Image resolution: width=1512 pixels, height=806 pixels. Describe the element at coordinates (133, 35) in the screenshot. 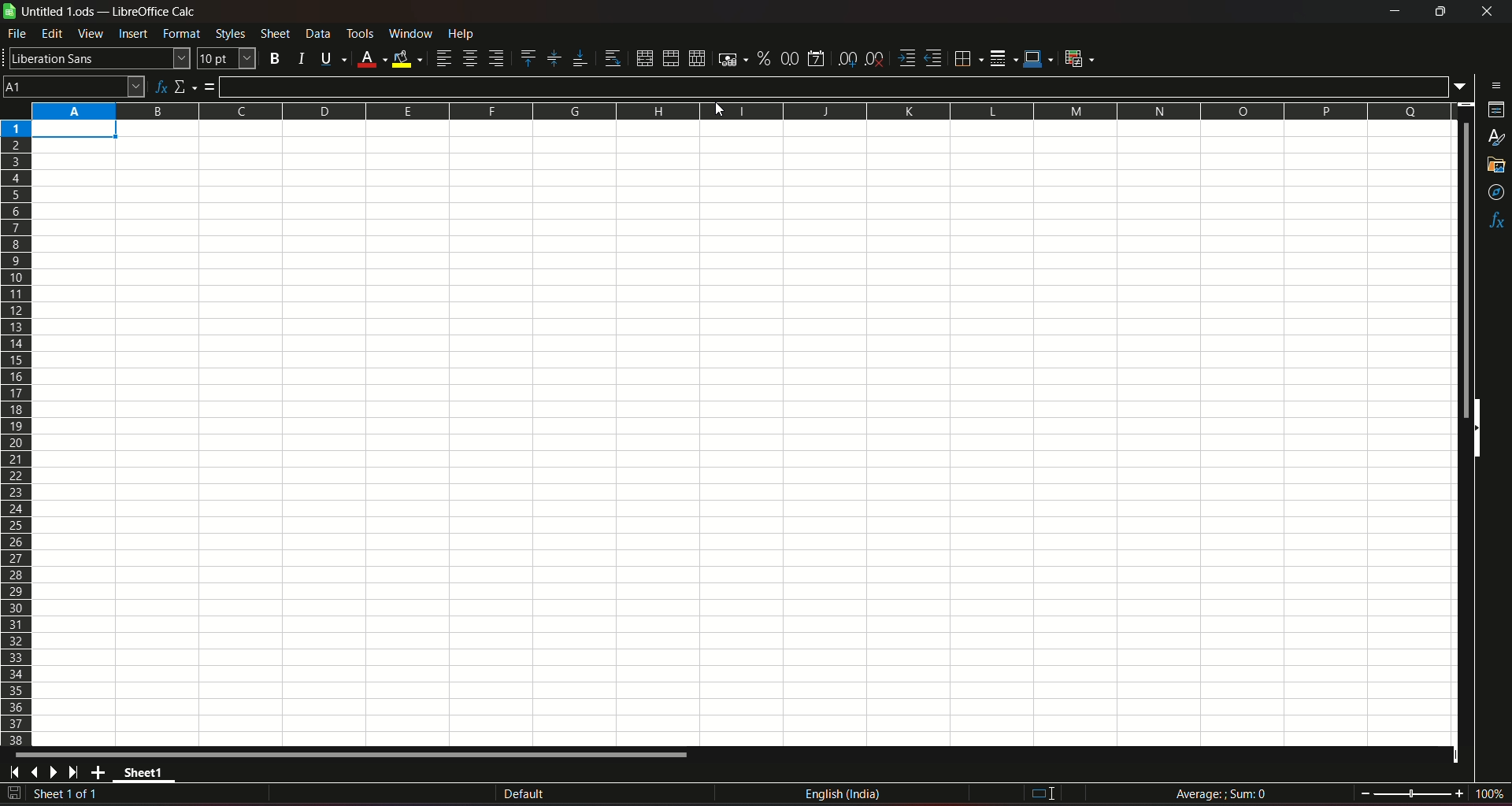

I see `insert` at that location.